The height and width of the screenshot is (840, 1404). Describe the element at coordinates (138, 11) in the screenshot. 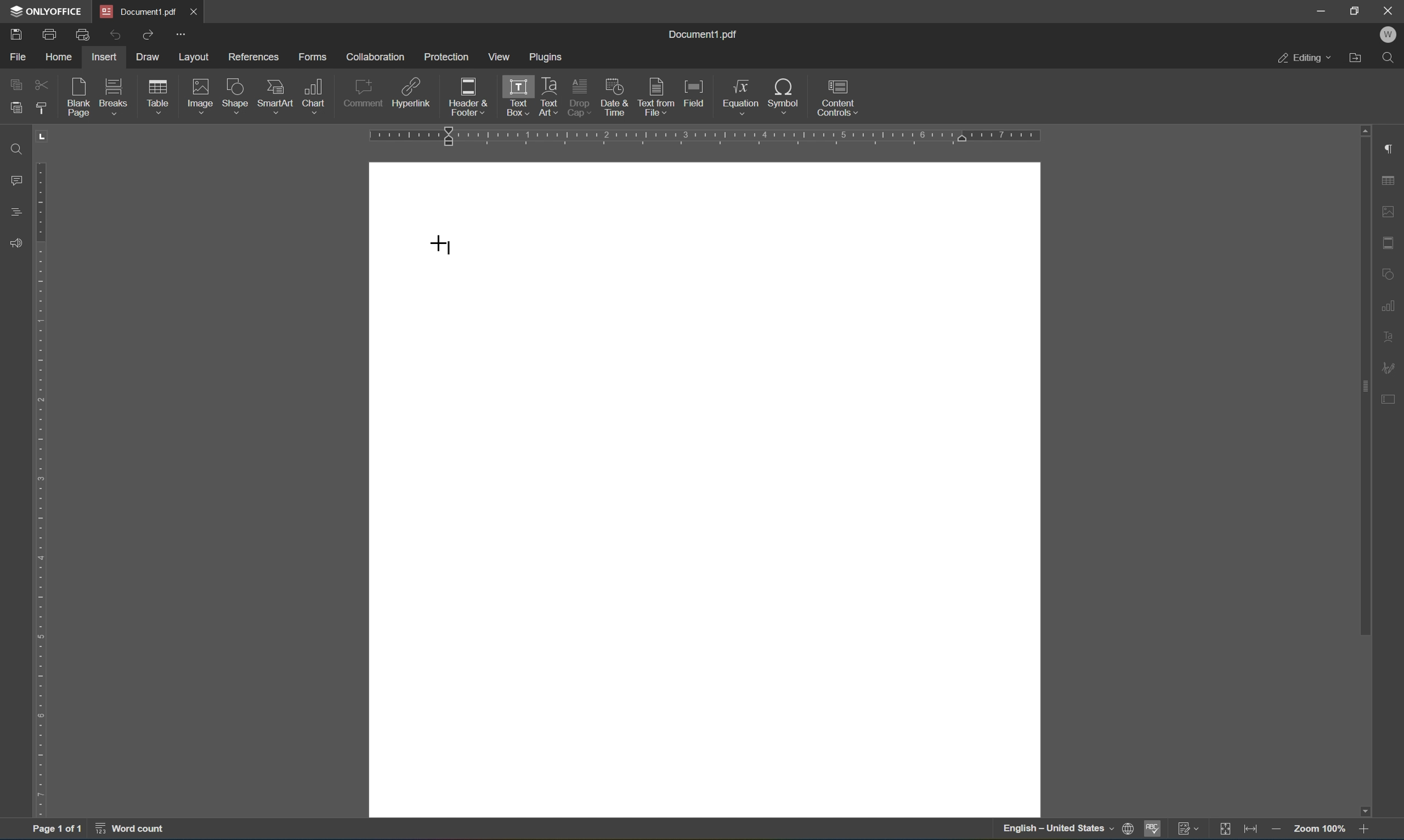

I see `Document1.pdf` at that location.